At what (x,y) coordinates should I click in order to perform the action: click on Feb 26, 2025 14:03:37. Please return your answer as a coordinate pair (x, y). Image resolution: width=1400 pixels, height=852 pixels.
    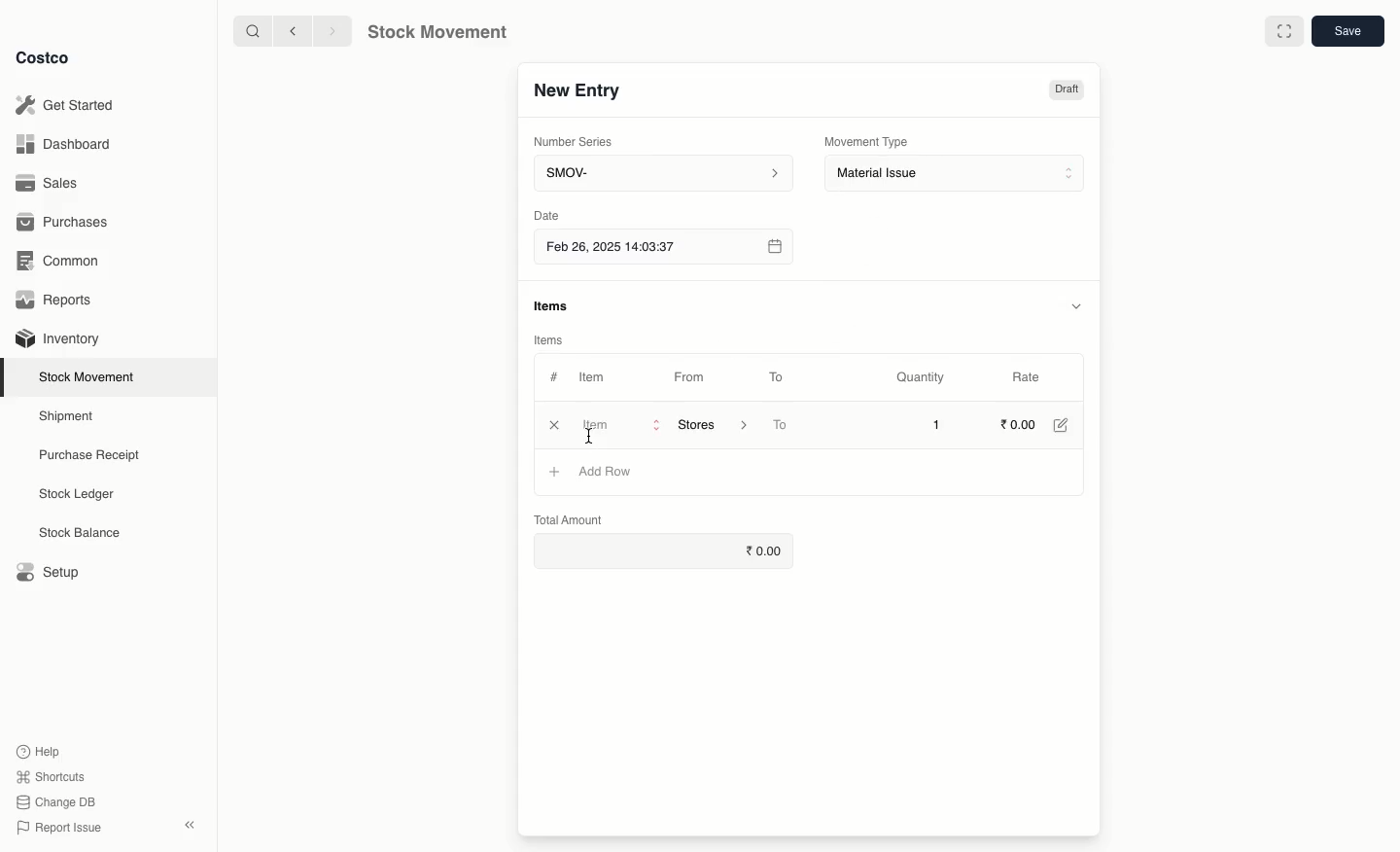
    Looking at the image, I should click on (662, 248).